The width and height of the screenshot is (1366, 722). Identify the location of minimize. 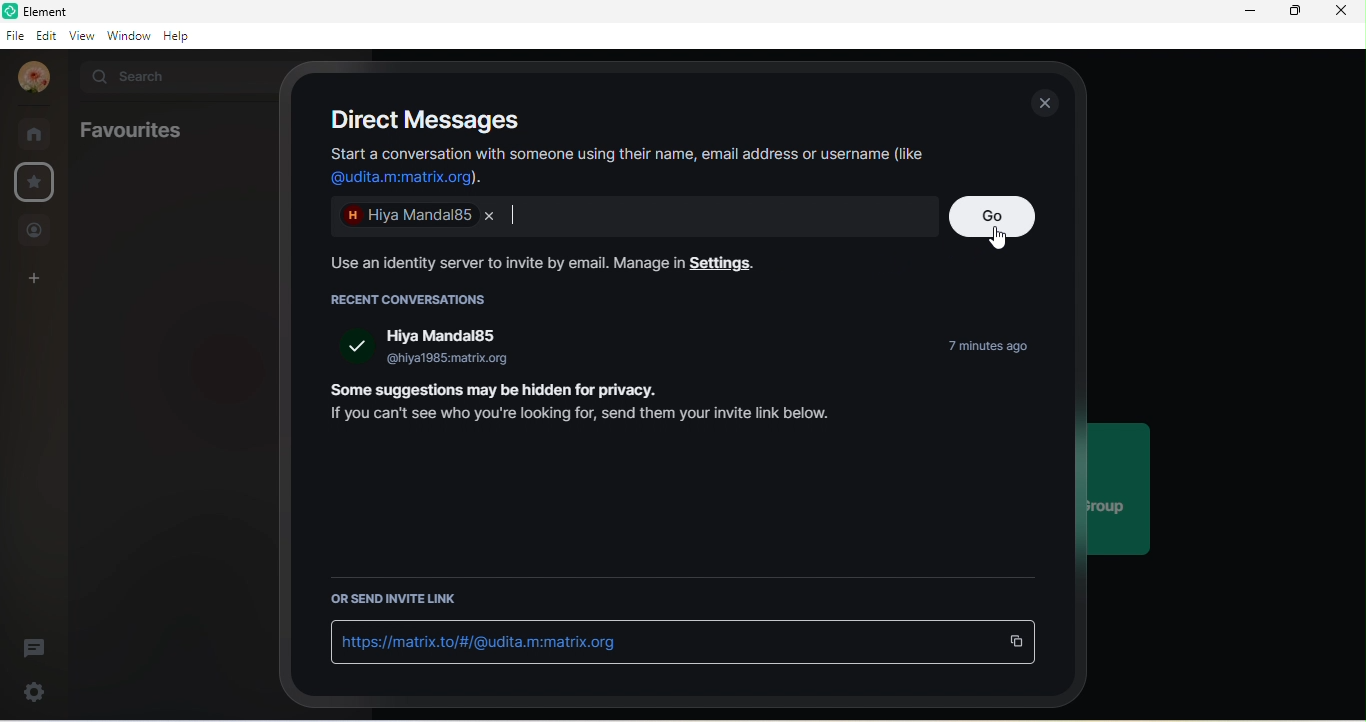
(1245, 13).